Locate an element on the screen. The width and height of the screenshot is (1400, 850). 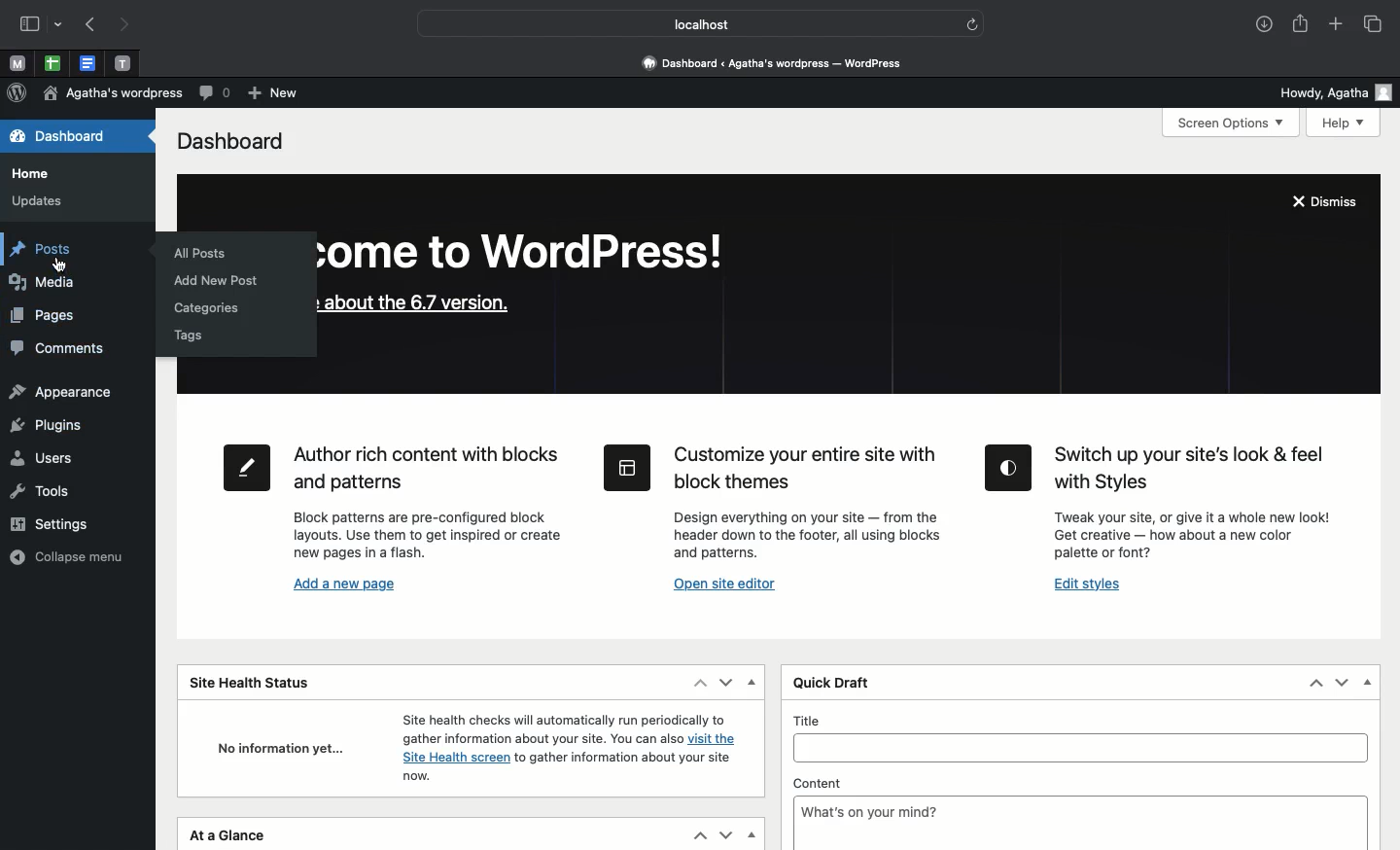
Plugins is located at coordinates (48, 425).